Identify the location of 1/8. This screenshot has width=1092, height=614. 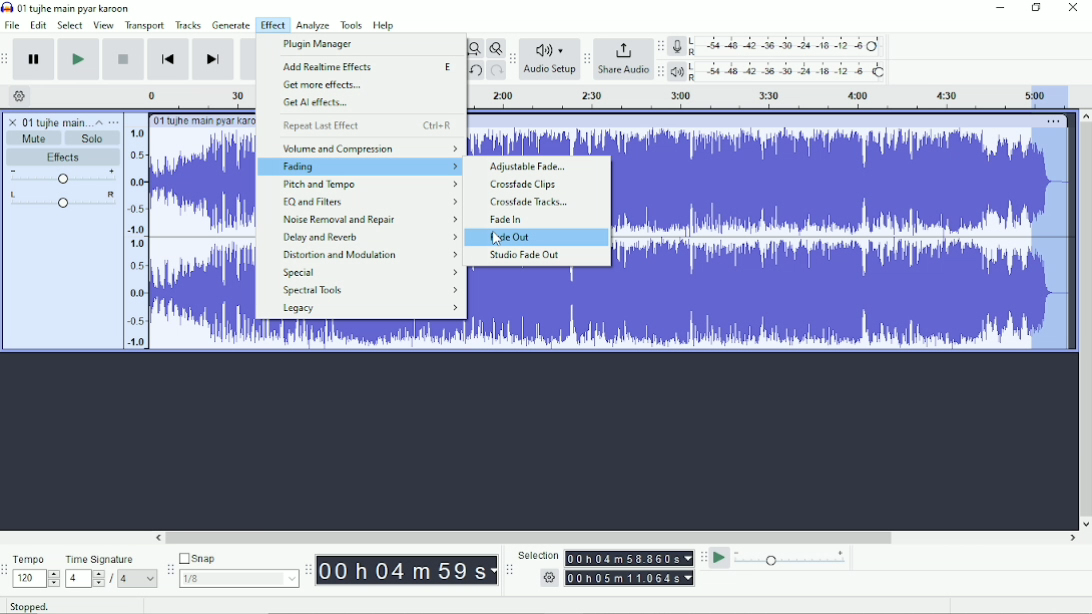
(241, 578).